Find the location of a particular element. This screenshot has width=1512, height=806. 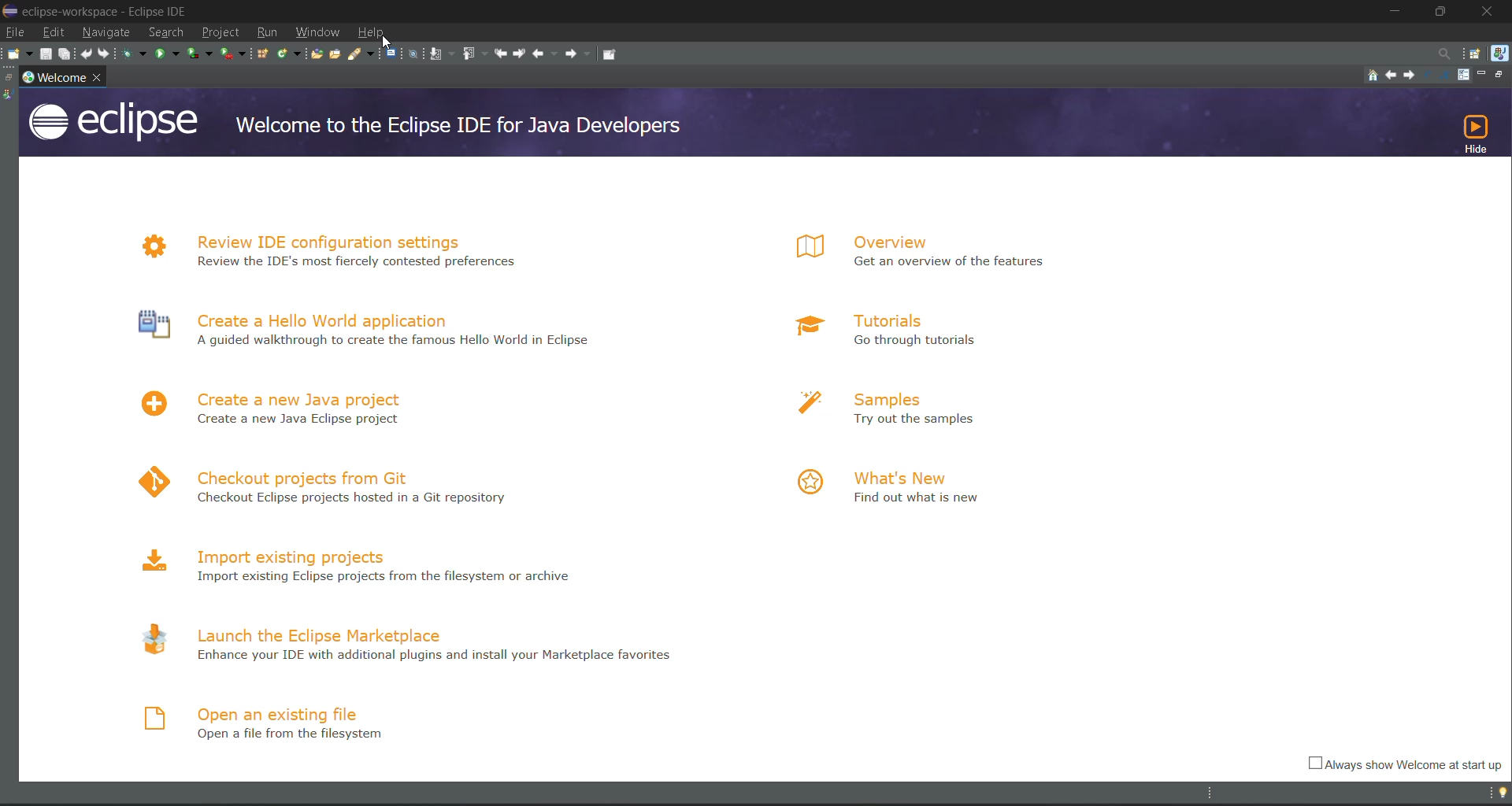

minimize is located at coordinates (1399, 13).